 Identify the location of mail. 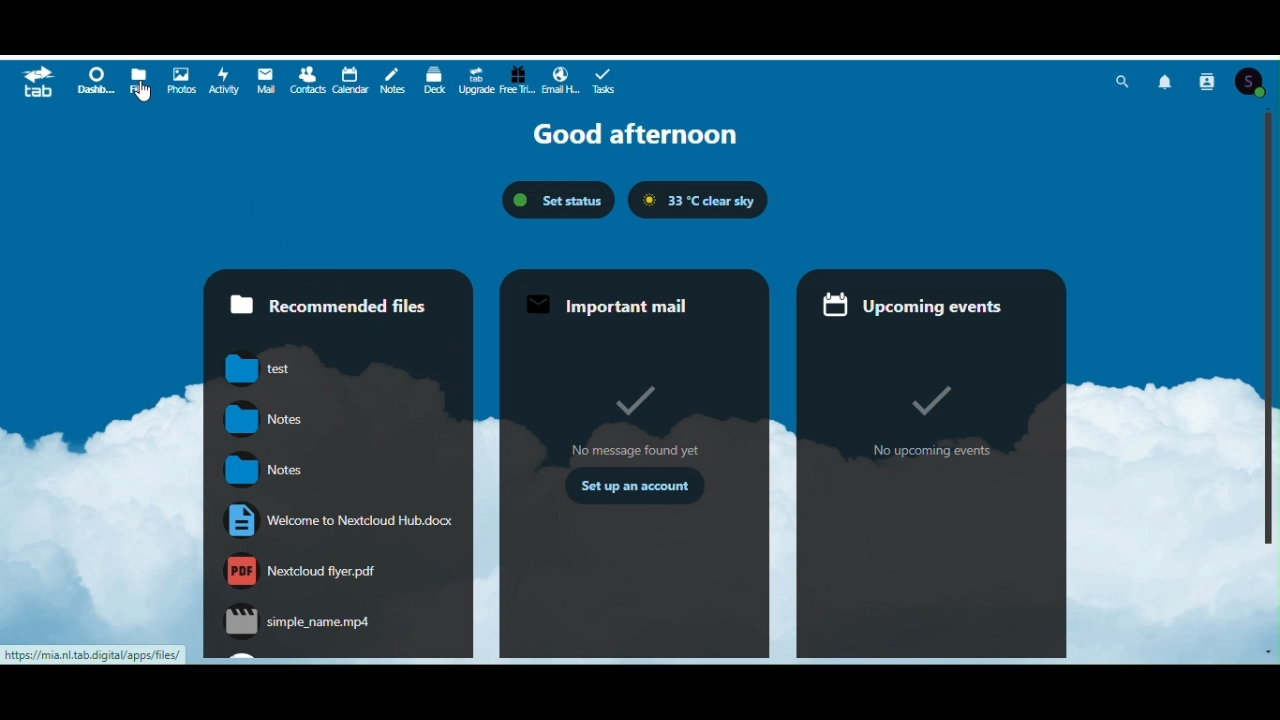
(262, 79).